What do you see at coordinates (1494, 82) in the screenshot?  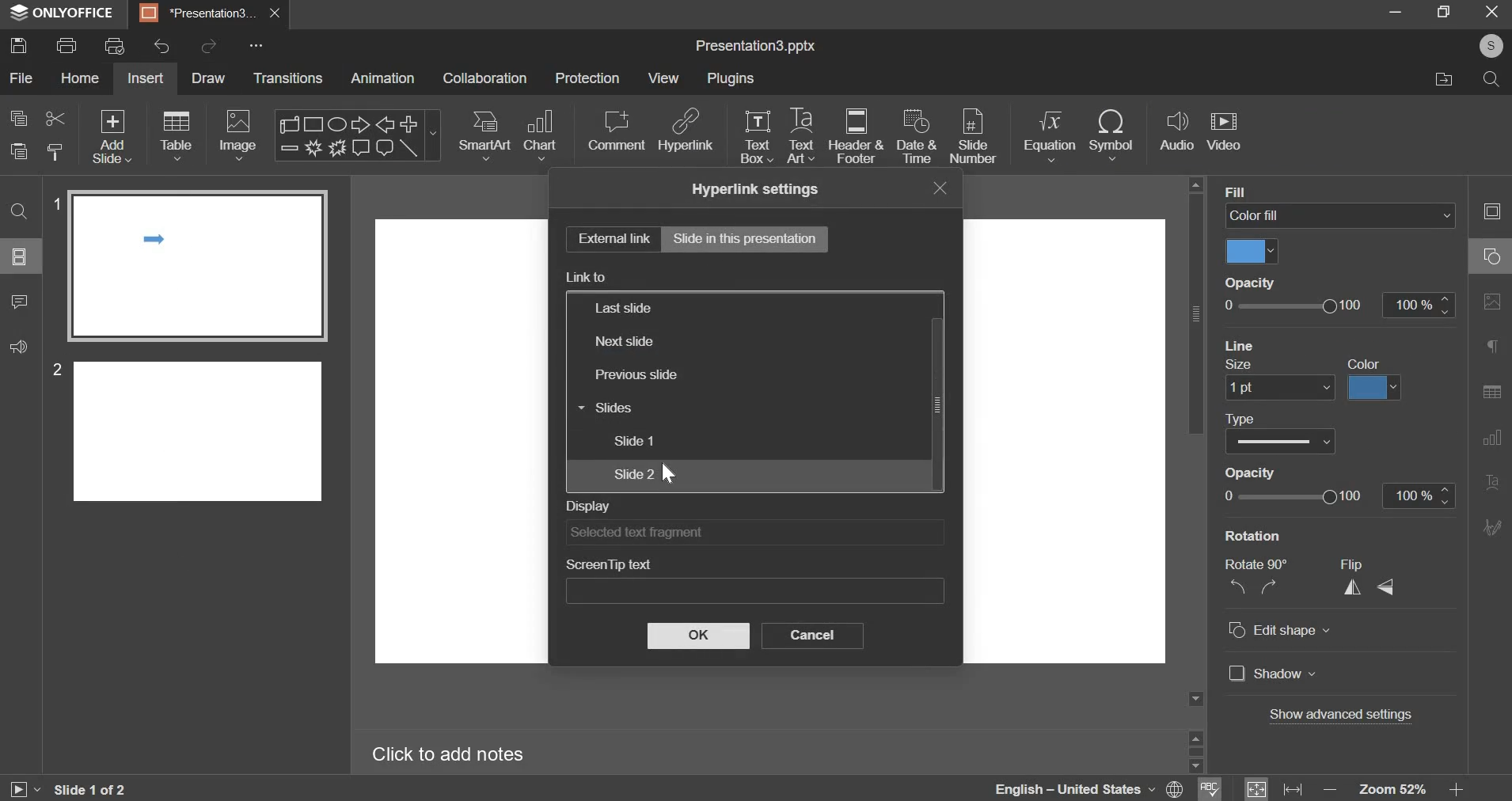 I see `search` at bounding box center [1494, 82].